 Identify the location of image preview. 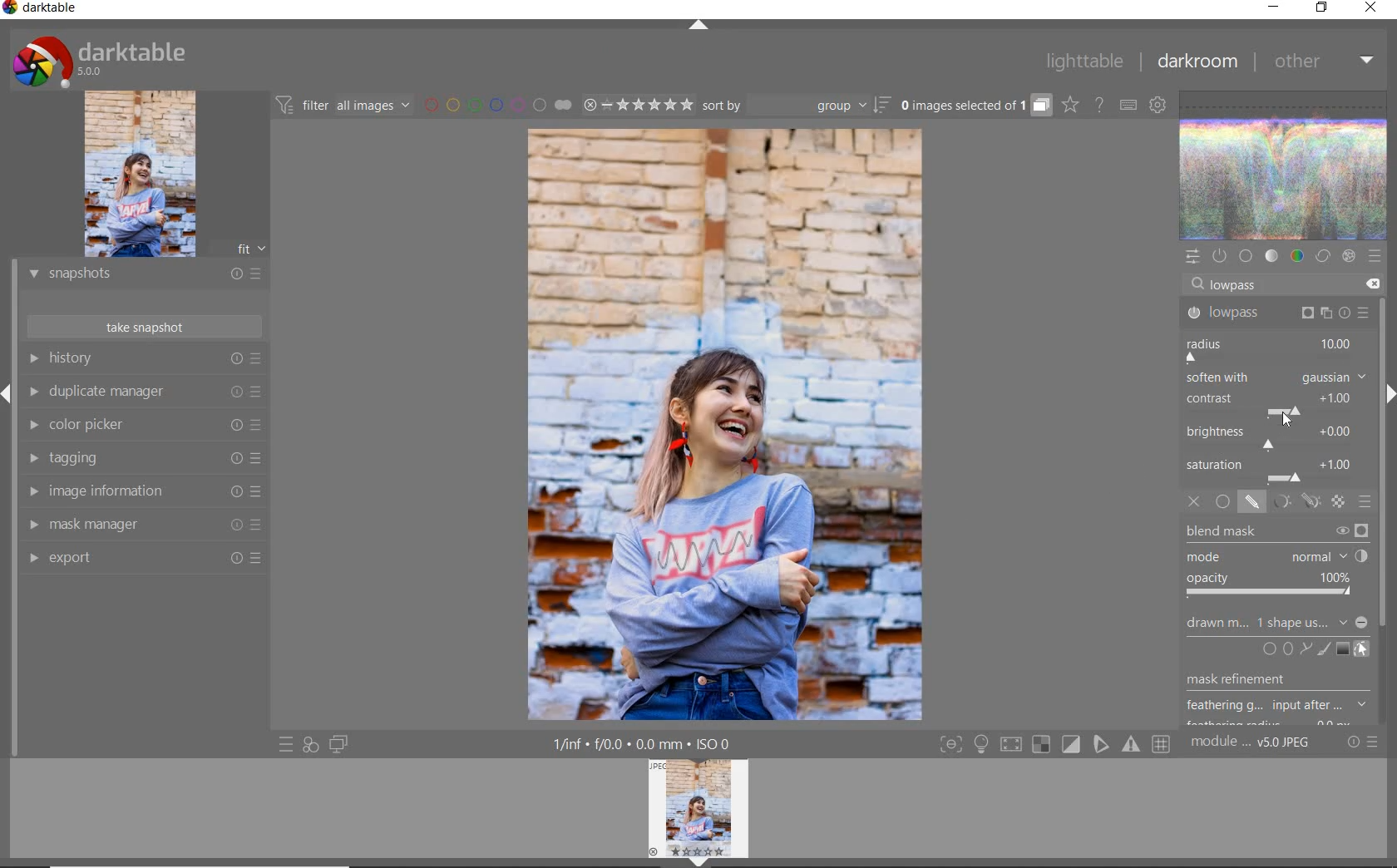
(703, 812).